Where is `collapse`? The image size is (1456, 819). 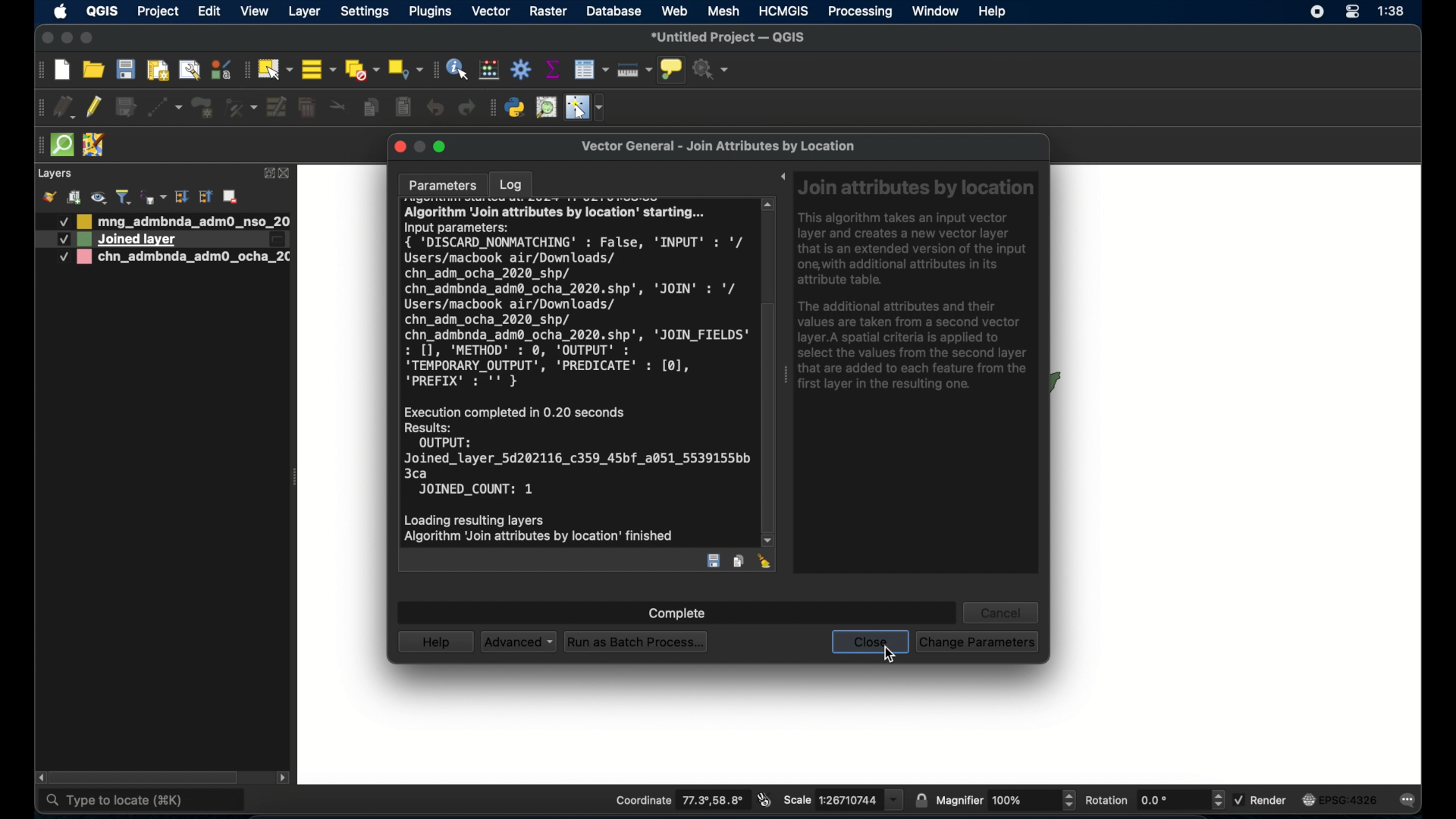 collapse is located at coordinates (205, 197).